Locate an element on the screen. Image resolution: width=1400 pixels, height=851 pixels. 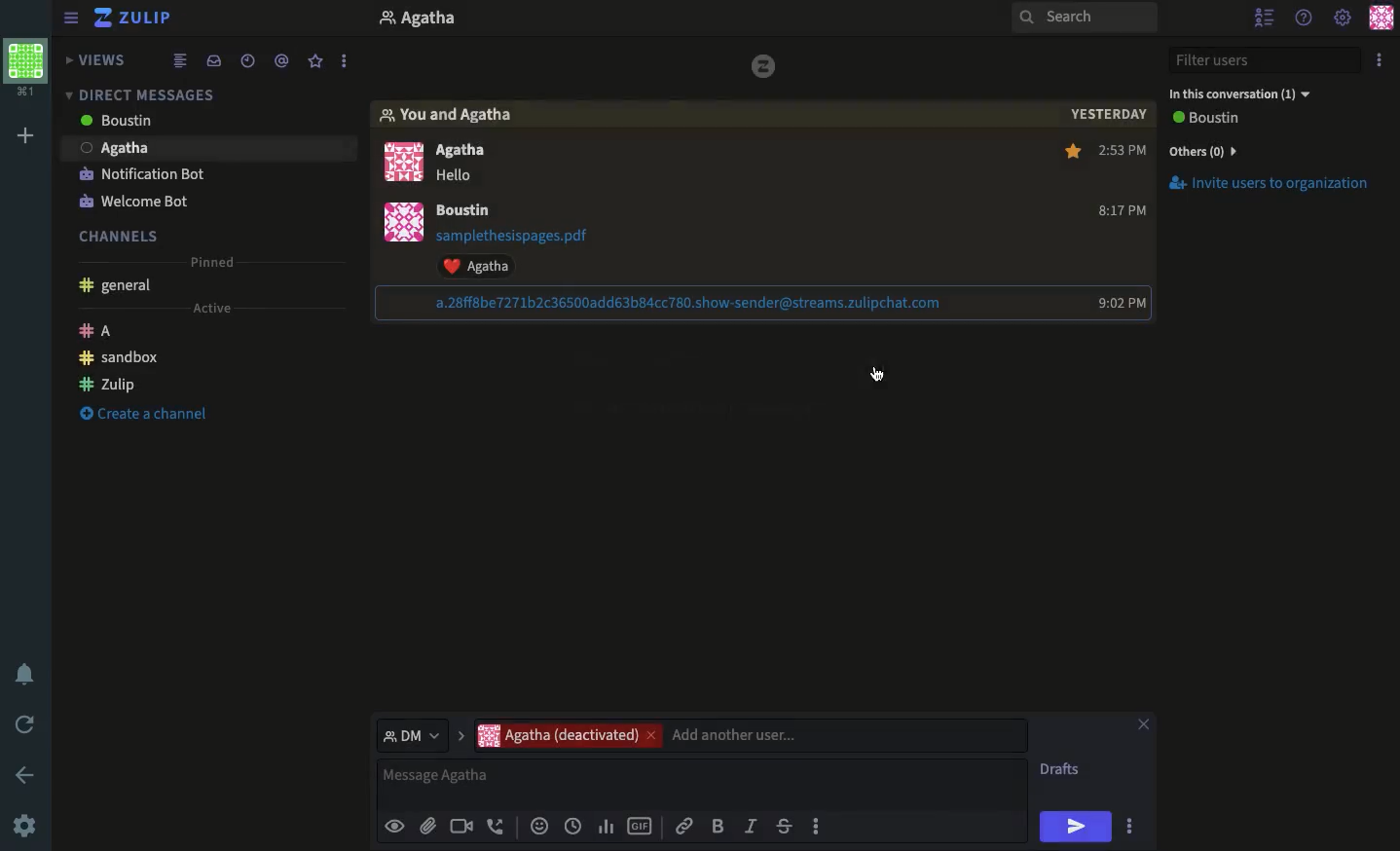
Options is located at coordinates (1379, 59).